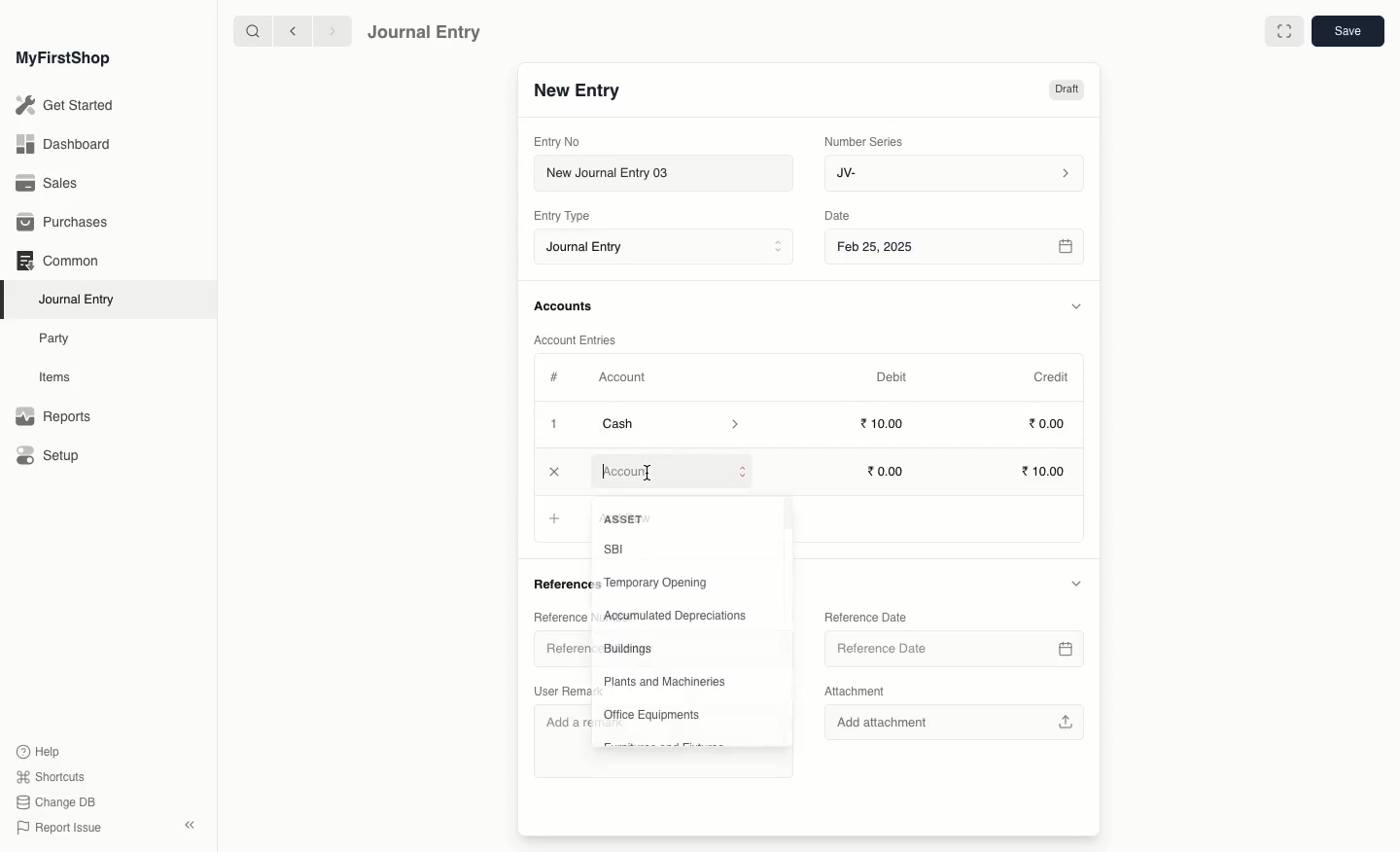 The width and height of the screenshot is (1400, 852). I want to click on New Entry, so click(577, 91).